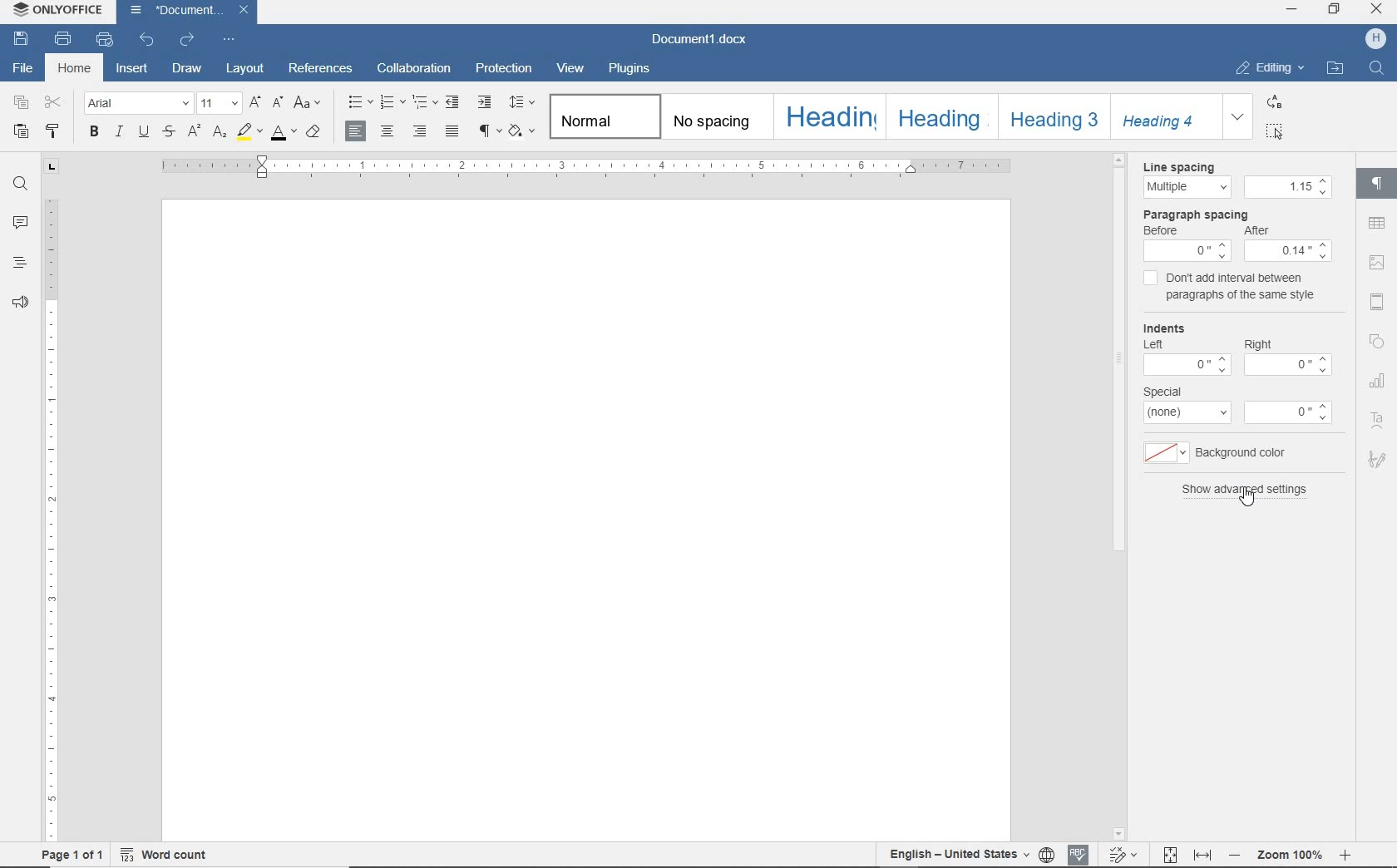 This screenshot has height=868, width=1397. I want to click on home, so click(77, 67).